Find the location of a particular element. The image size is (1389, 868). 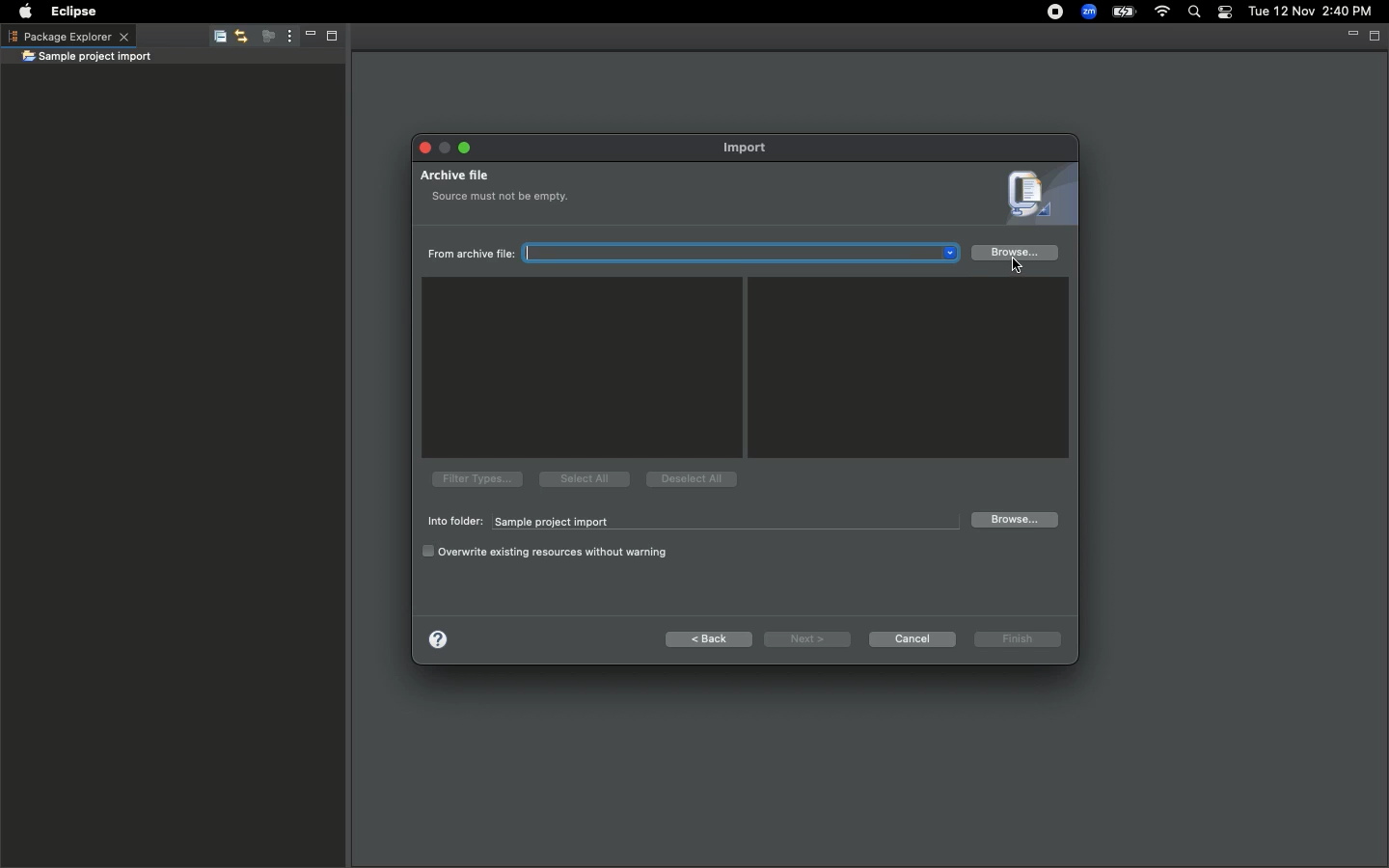

Minimize is located at coordinates (1350, 35).